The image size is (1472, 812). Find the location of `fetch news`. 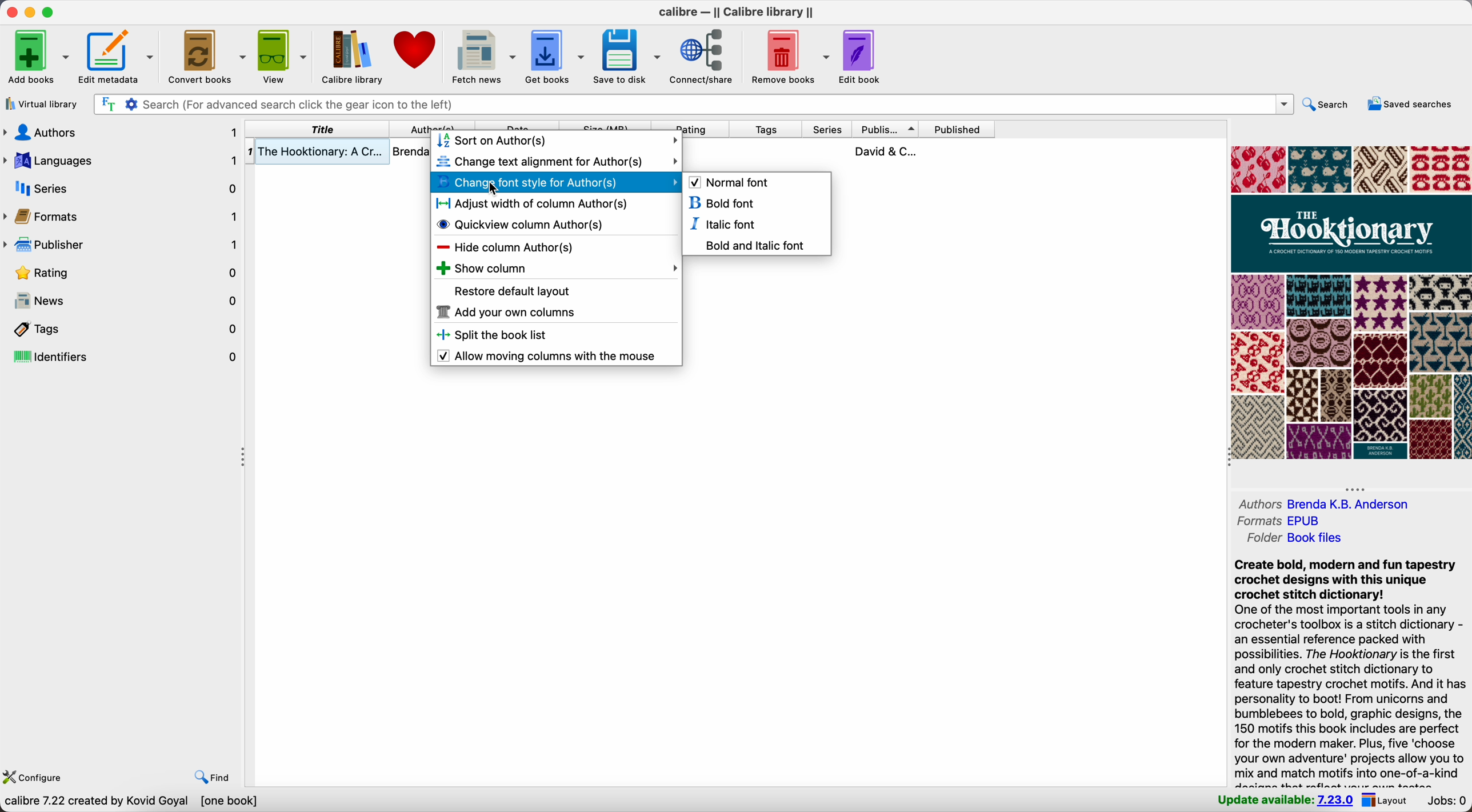

fetch news is located at coordinates (483, 54).